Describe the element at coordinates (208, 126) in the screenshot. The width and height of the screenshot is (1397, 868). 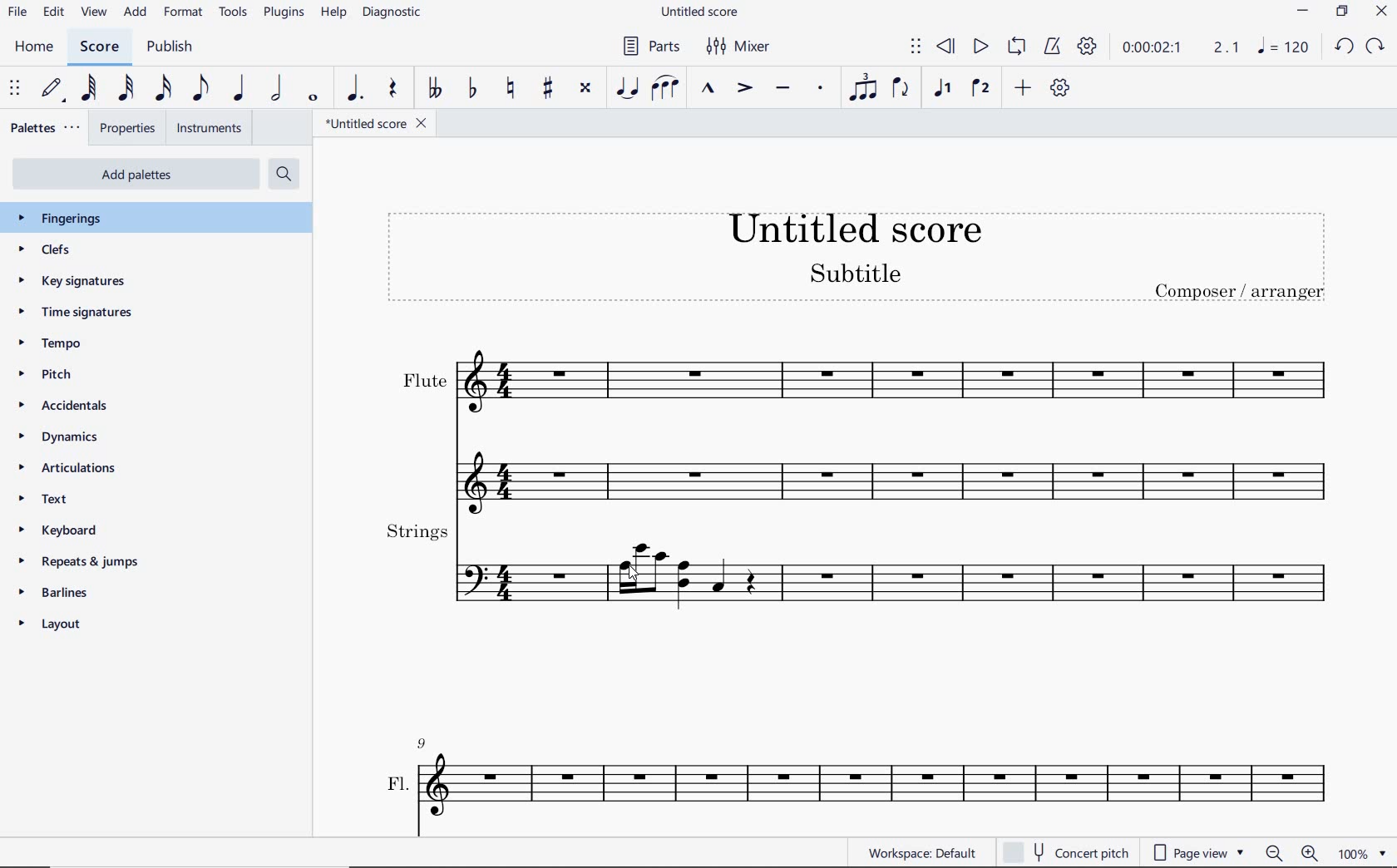
I see `instruments` at that location.